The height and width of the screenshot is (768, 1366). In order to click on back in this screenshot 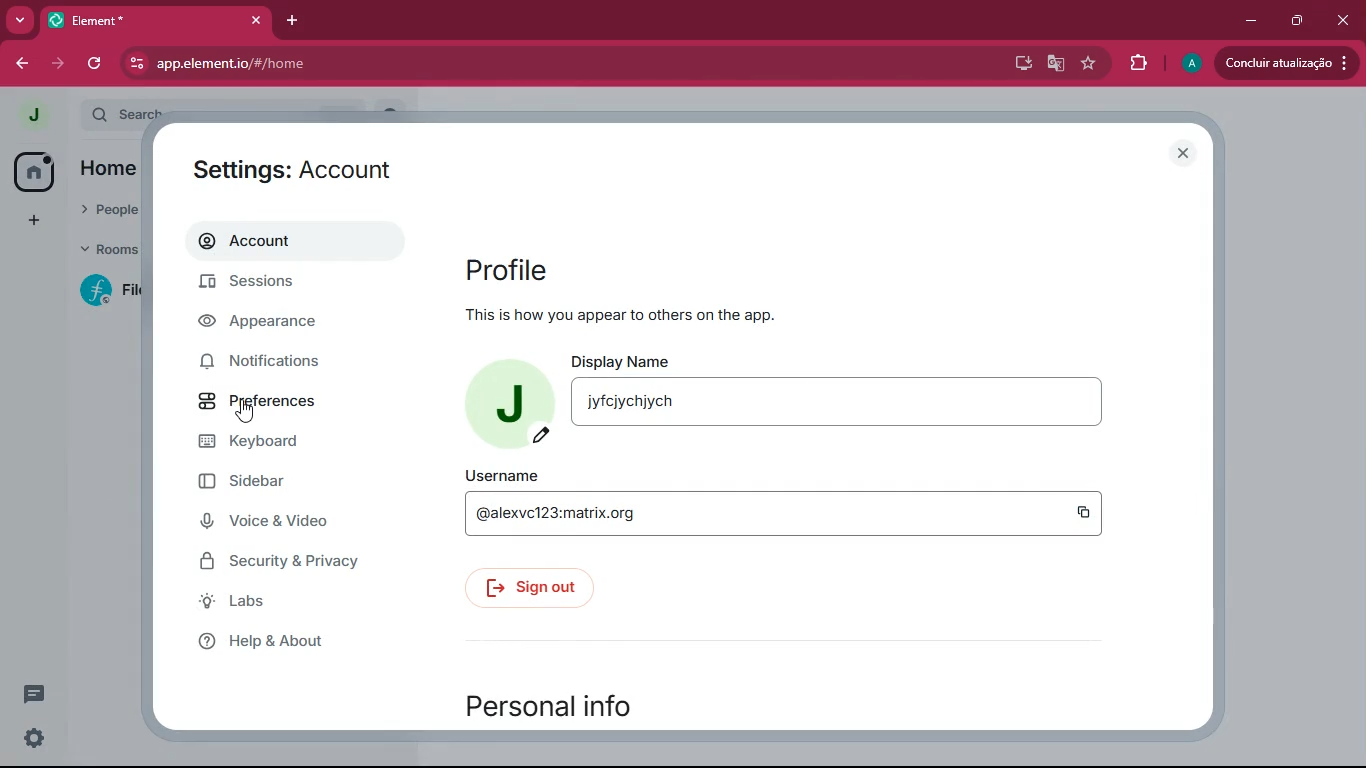, I will do `click(19, 63)`.